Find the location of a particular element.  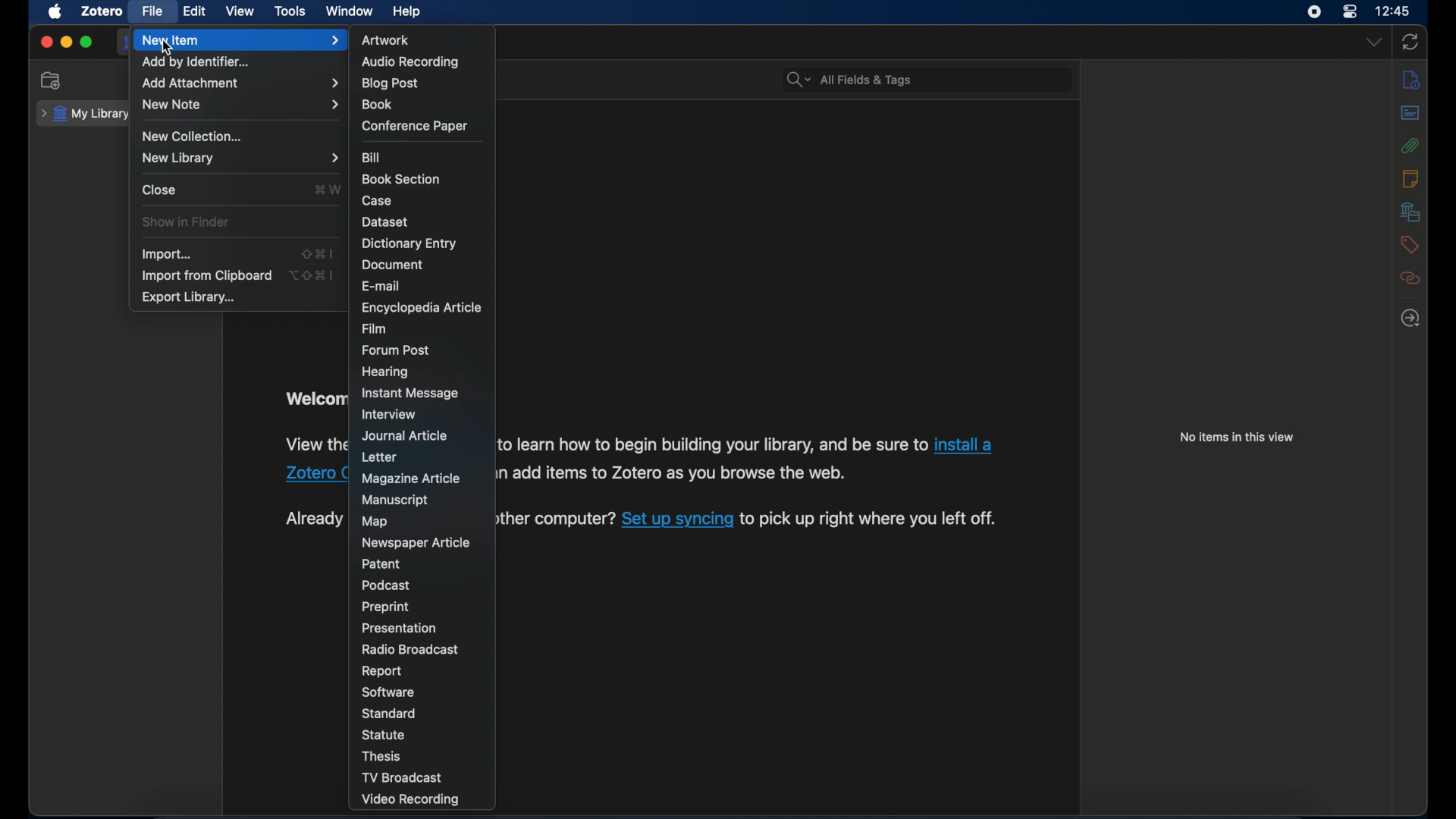

sync is located at coordinates (1410, 42).